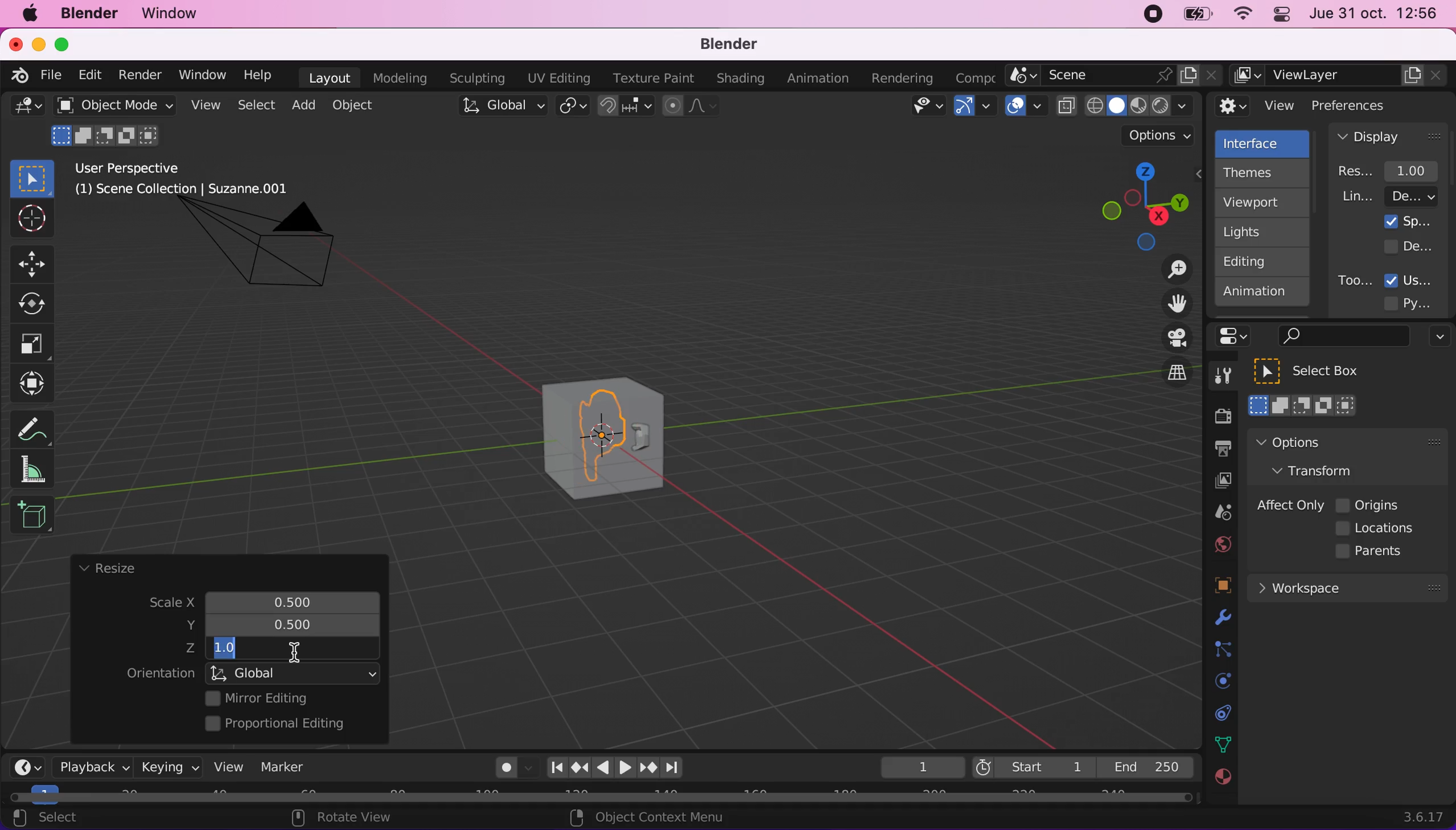  I want to click on scene, so click(1114, 76).